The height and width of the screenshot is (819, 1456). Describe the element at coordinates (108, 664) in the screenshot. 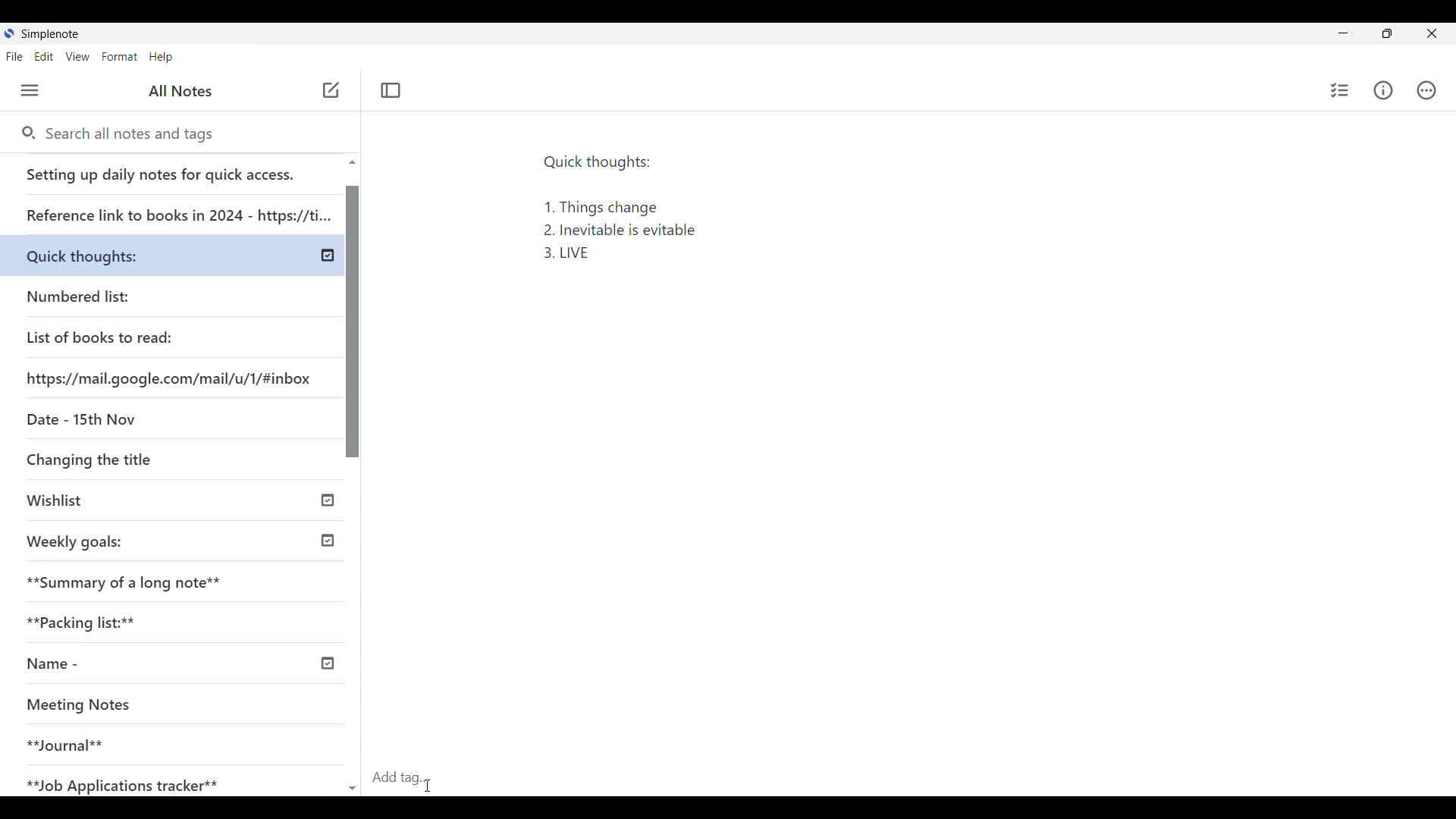

I see `Name` at that location.